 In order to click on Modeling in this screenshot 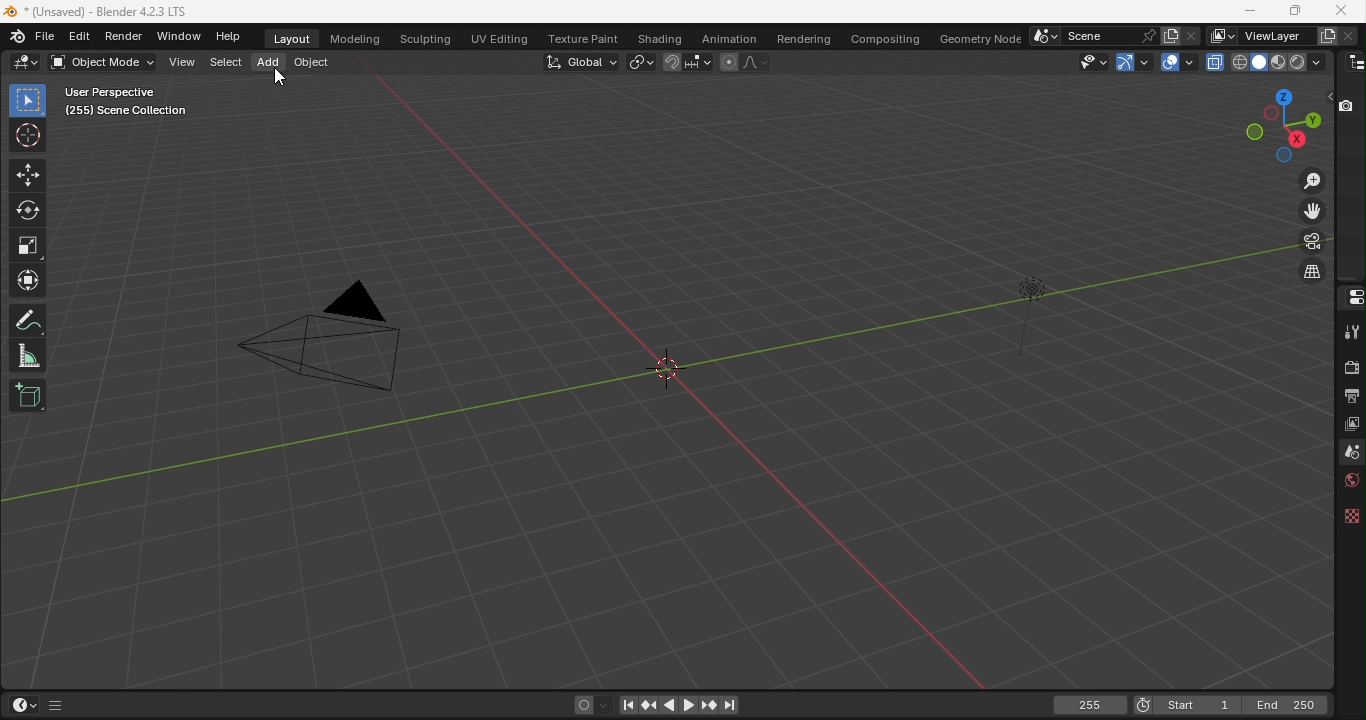, I will do `click(354, 37)`.